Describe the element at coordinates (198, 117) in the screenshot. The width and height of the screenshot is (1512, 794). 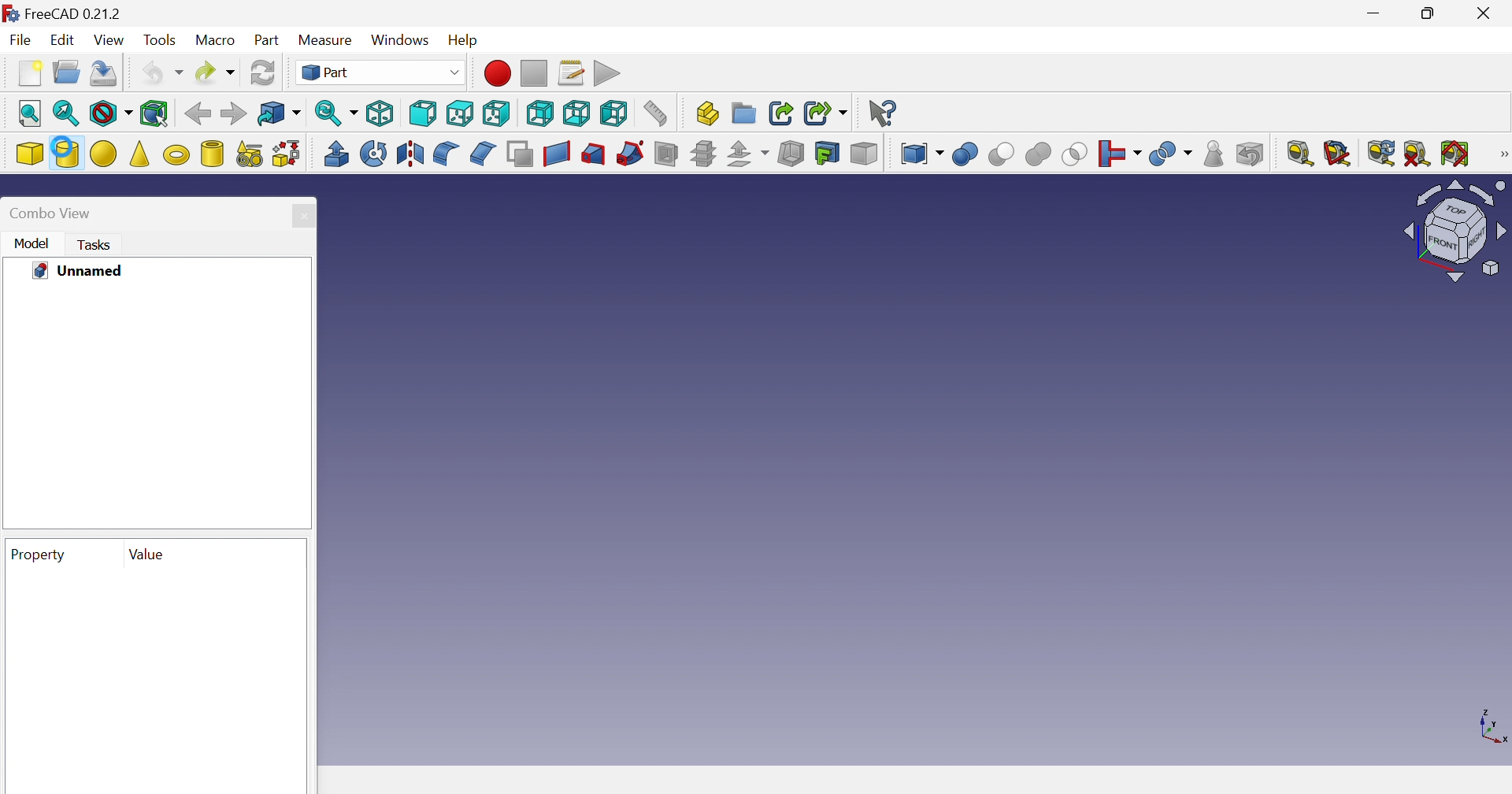
I see `Back` at that location.